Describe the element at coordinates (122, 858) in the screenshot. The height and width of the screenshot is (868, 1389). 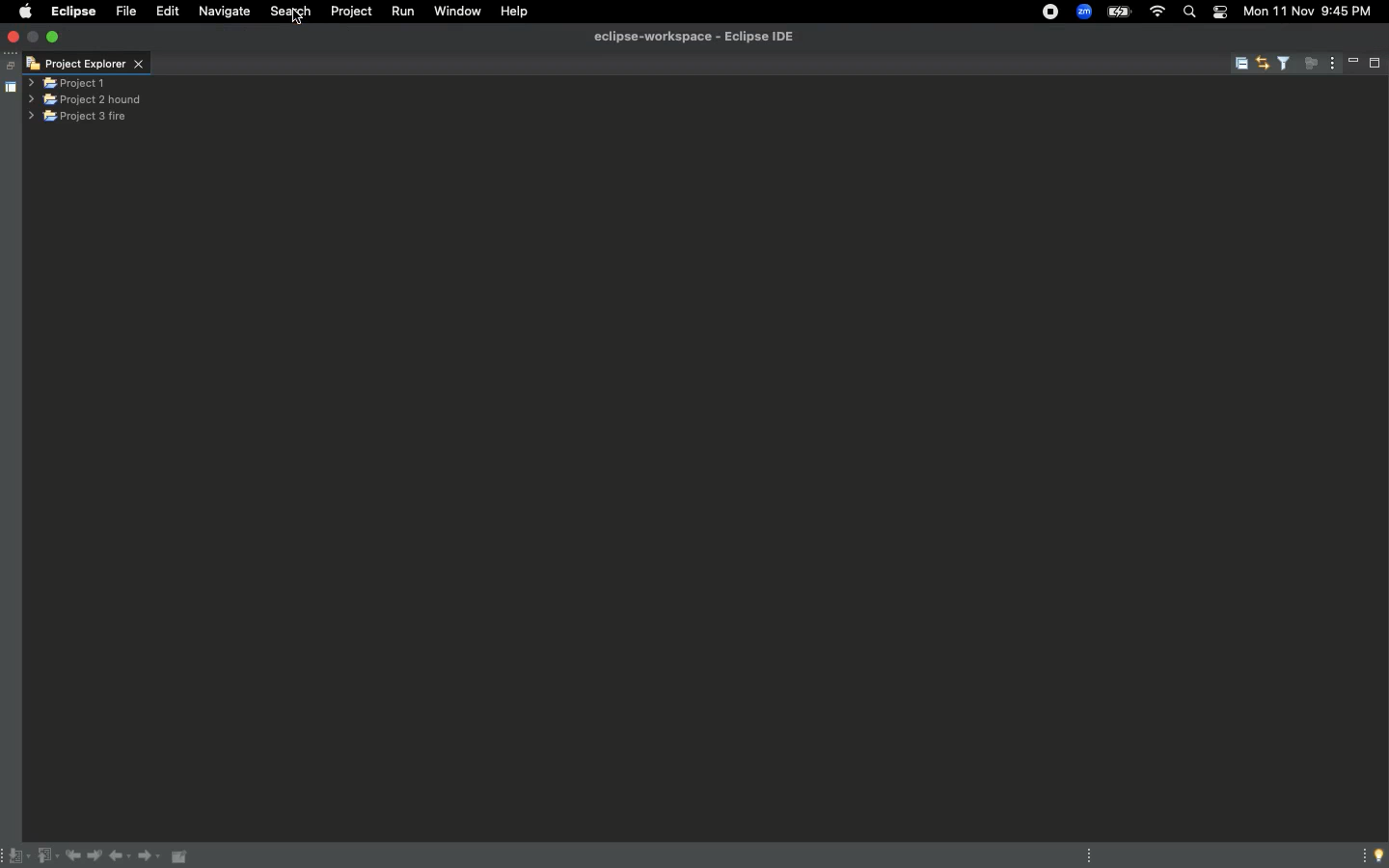
I see `Back` at that location.